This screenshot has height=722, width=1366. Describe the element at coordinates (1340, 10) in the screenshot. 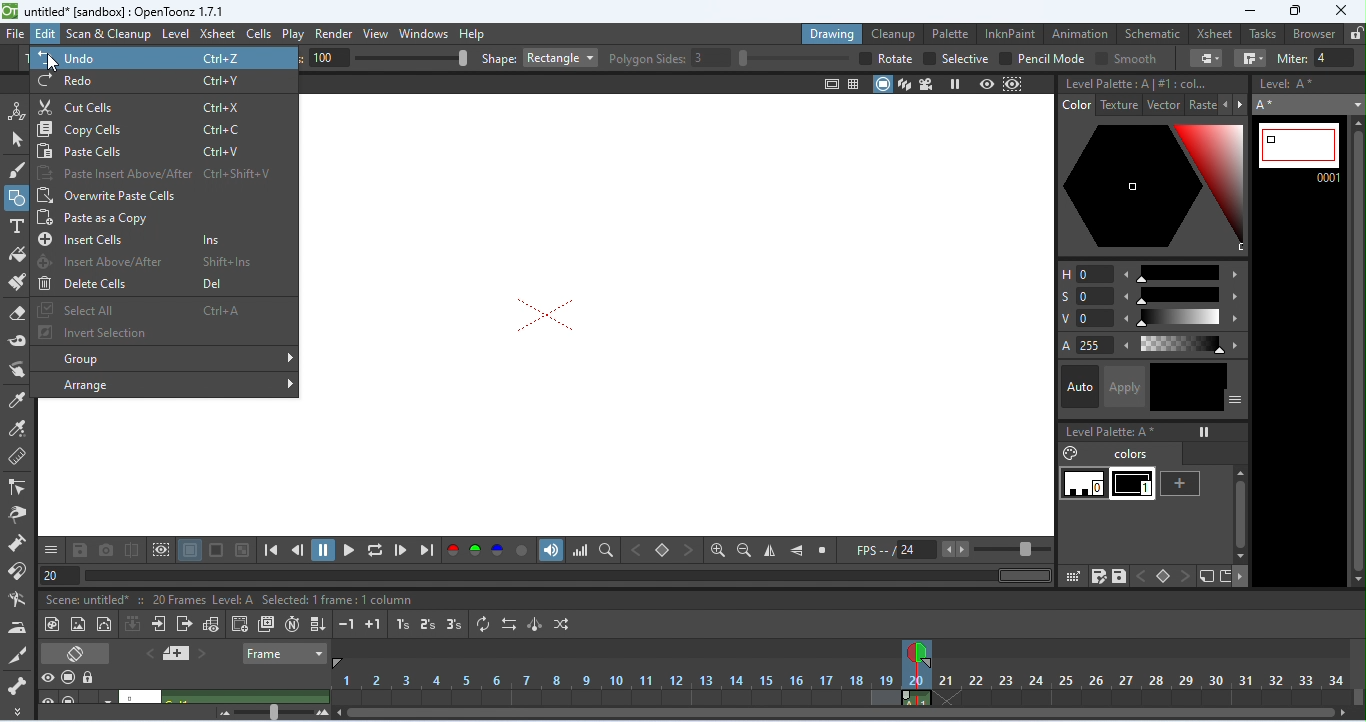

I see `close` at that location.